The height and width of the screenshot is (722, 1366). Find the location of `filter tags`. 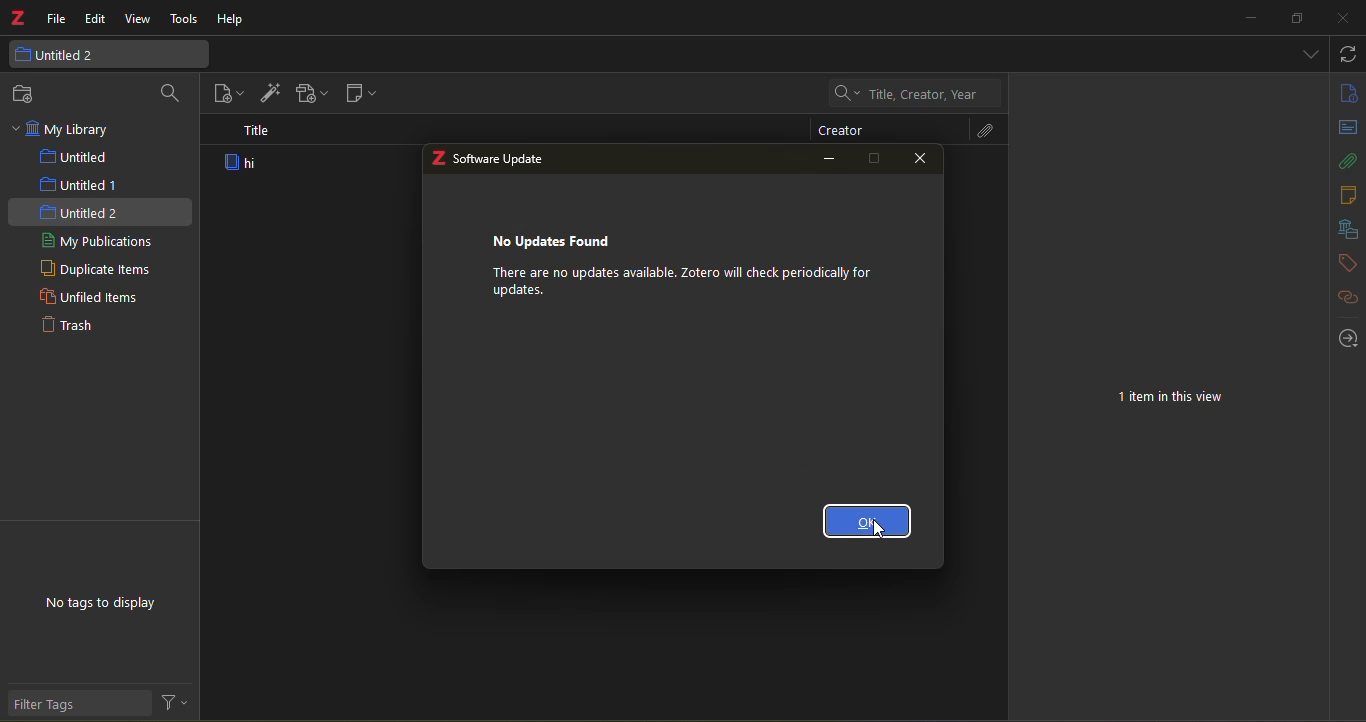

filter tags is located at coordinates (79, 703).